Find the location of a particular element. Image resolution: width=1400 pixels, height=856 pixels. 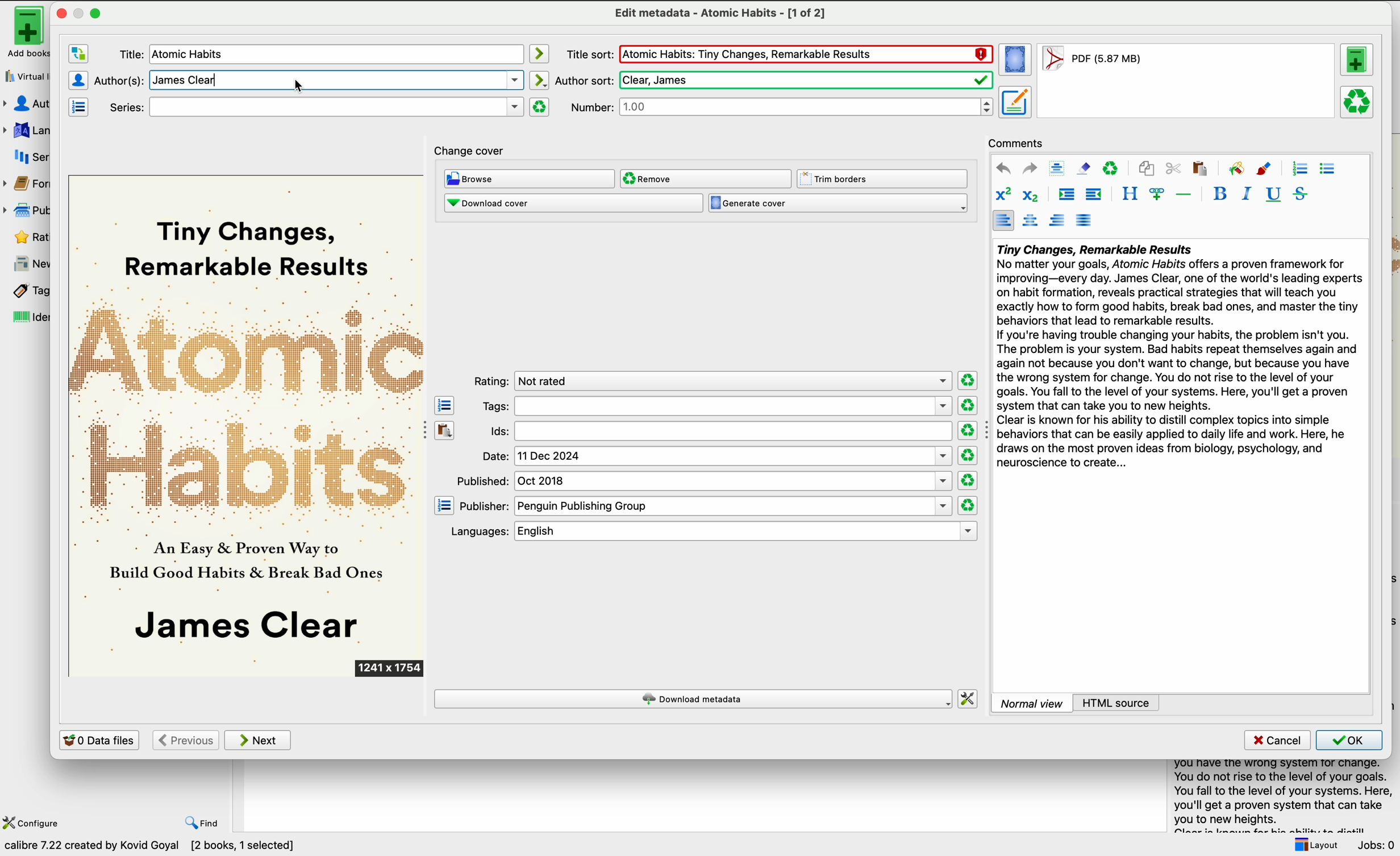

browse is located at coordinates (529, 178).